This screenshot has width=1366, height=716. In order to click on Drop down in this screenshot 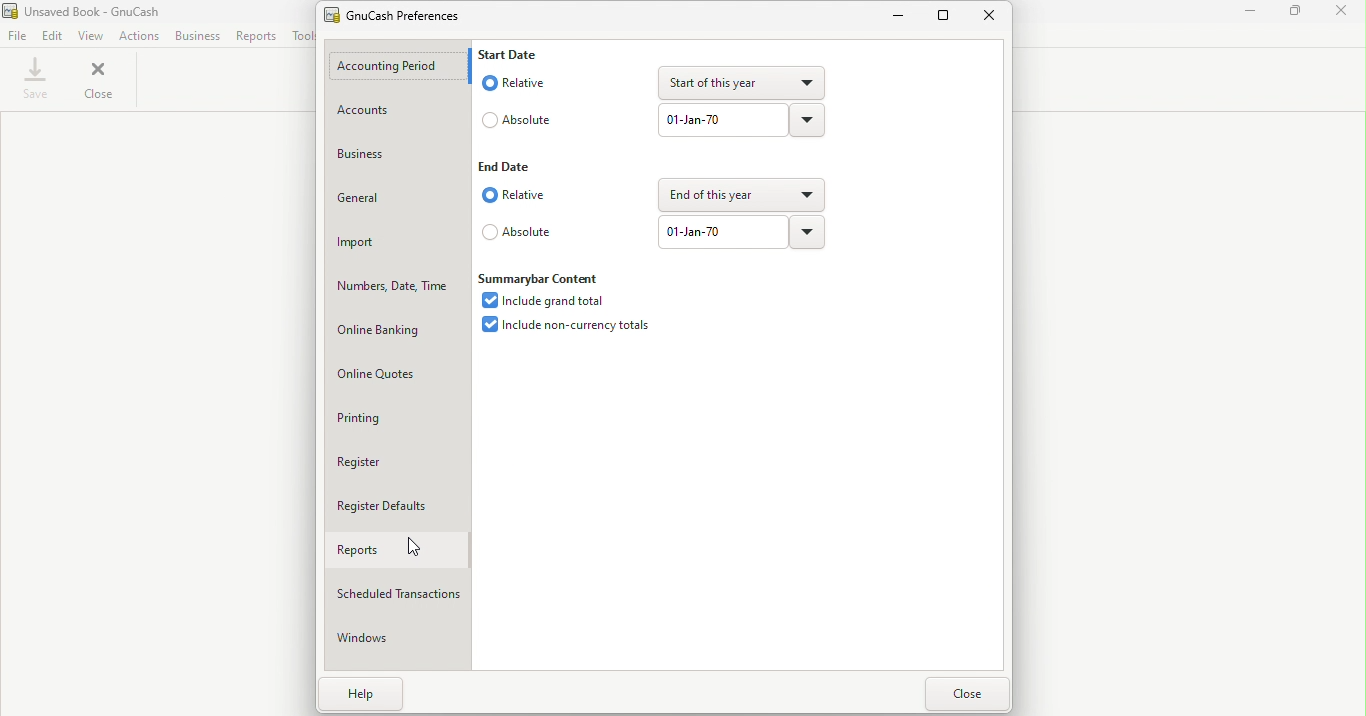, I will do `click(811, 121)`.